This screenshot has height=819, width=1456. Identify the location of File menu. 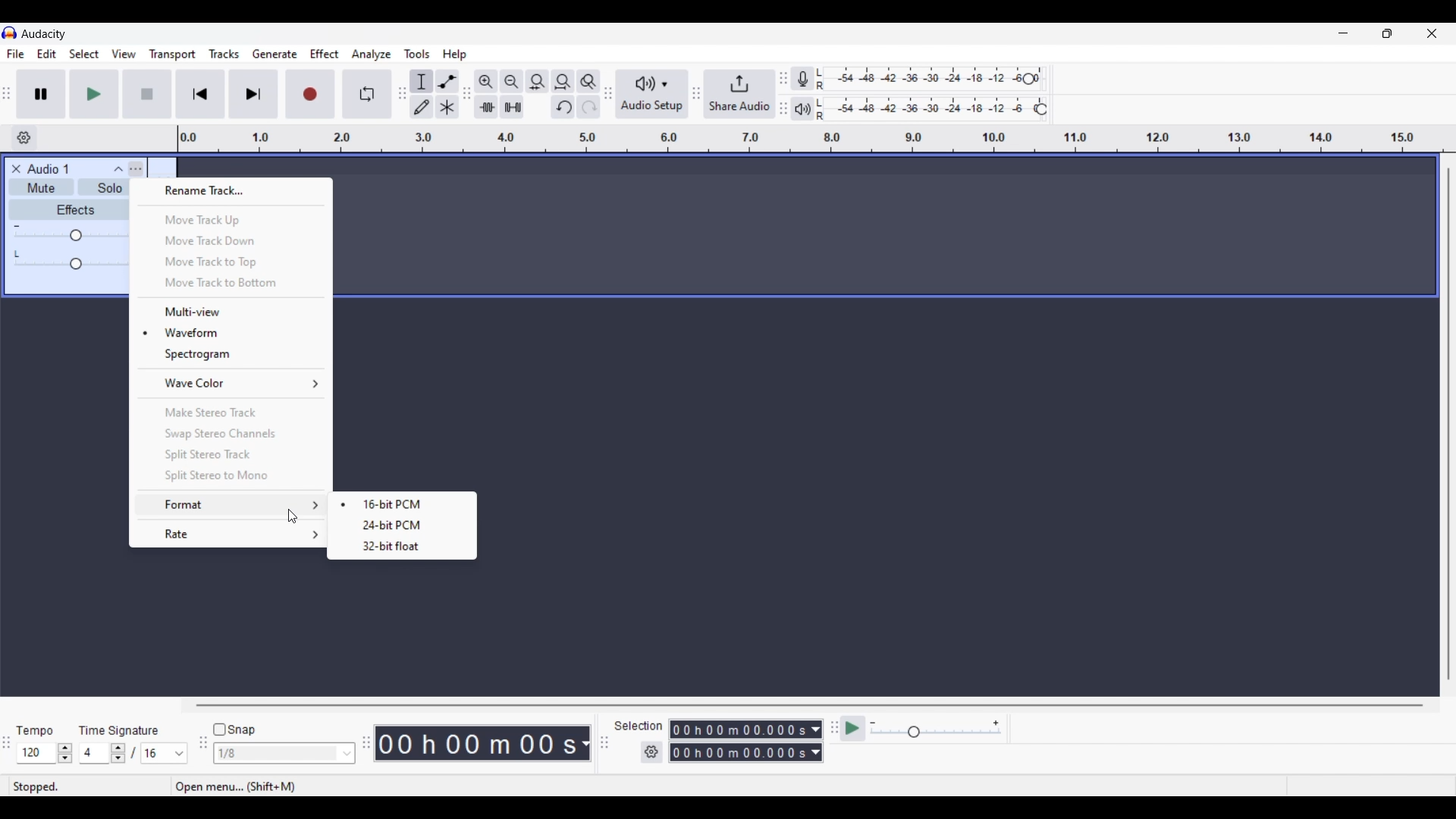
(15, 54).